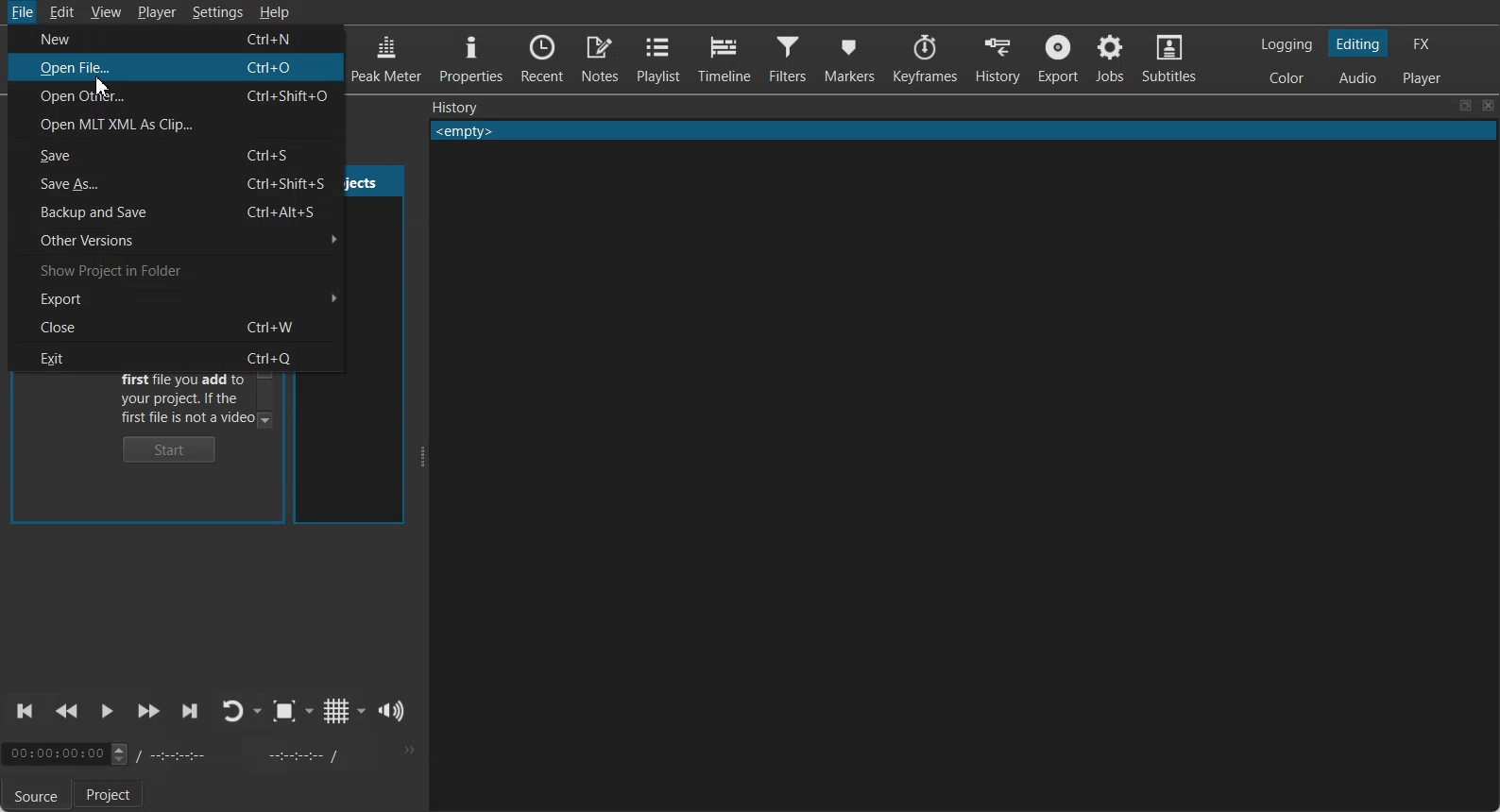 The image size is (1500, 812). Describe the element at coordinates (175, 239) in the screenshot. I see `Other Versions` at that location.